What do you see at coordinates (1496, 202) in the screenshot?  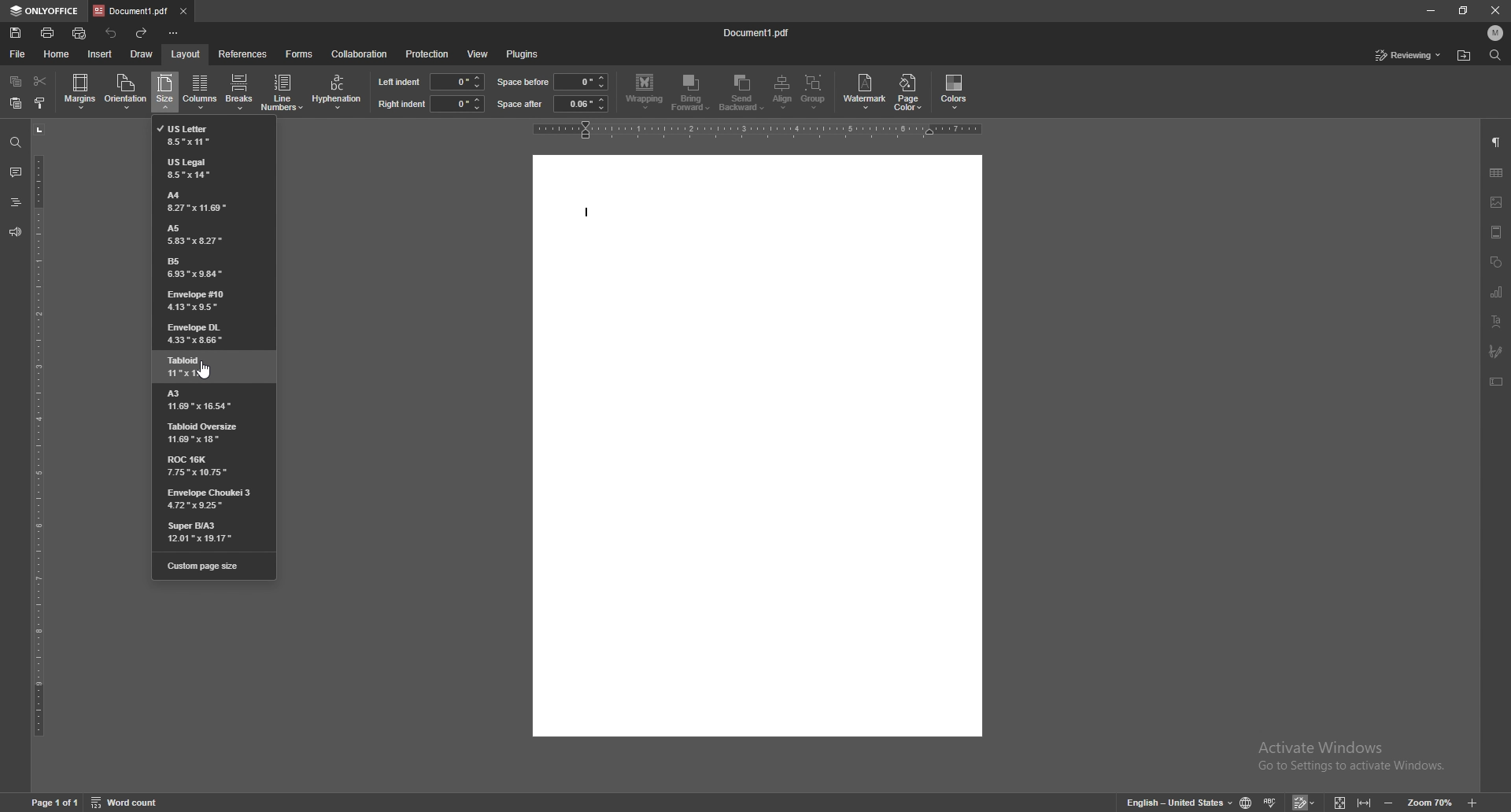 I see `image` at bounding box center [1496, 202].